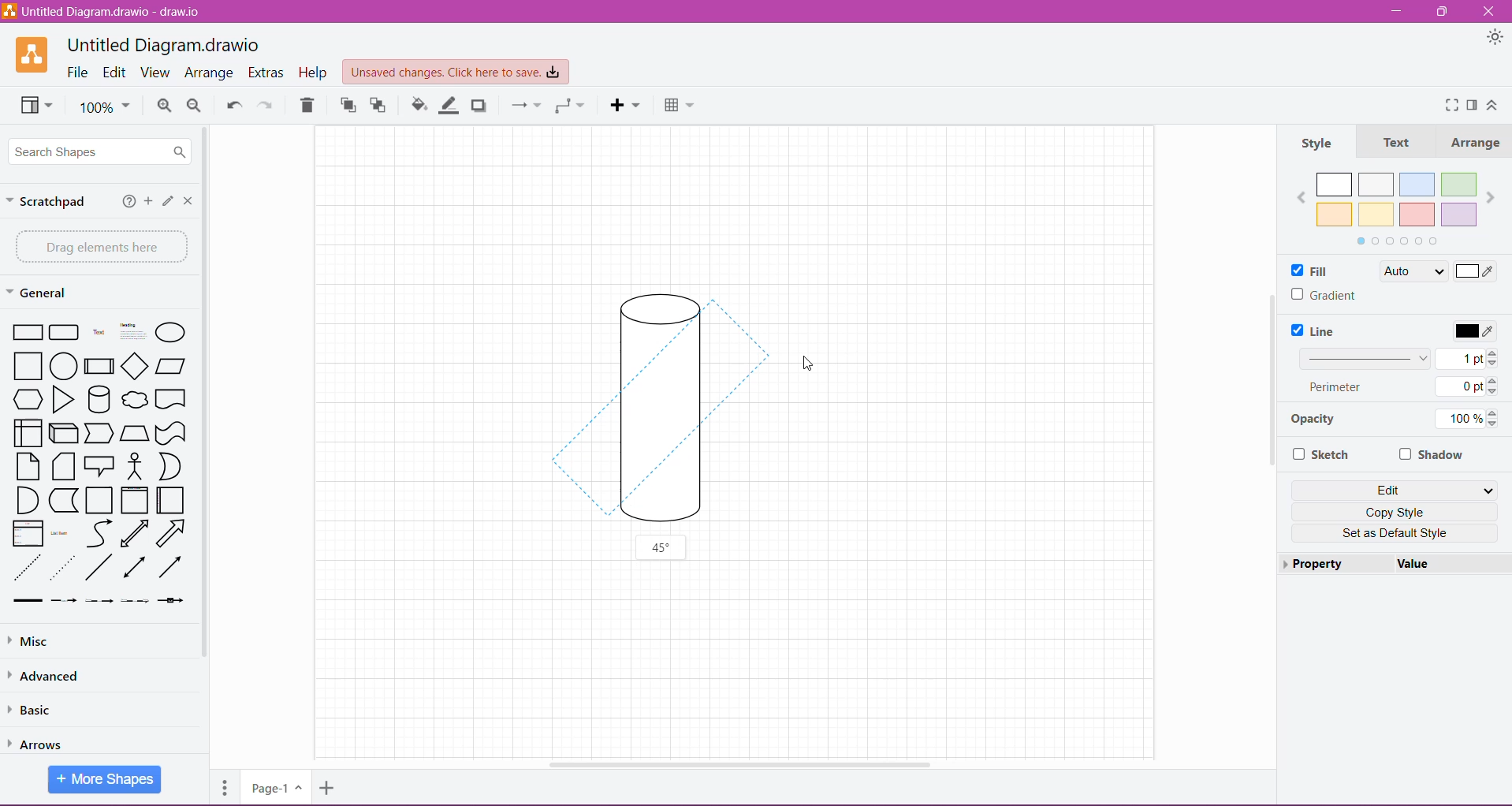 The height and width of the screenshot is (806, 1512). Describe the element at coordinates (106, 109) in the screenshot. I see `Zoom` at that location.